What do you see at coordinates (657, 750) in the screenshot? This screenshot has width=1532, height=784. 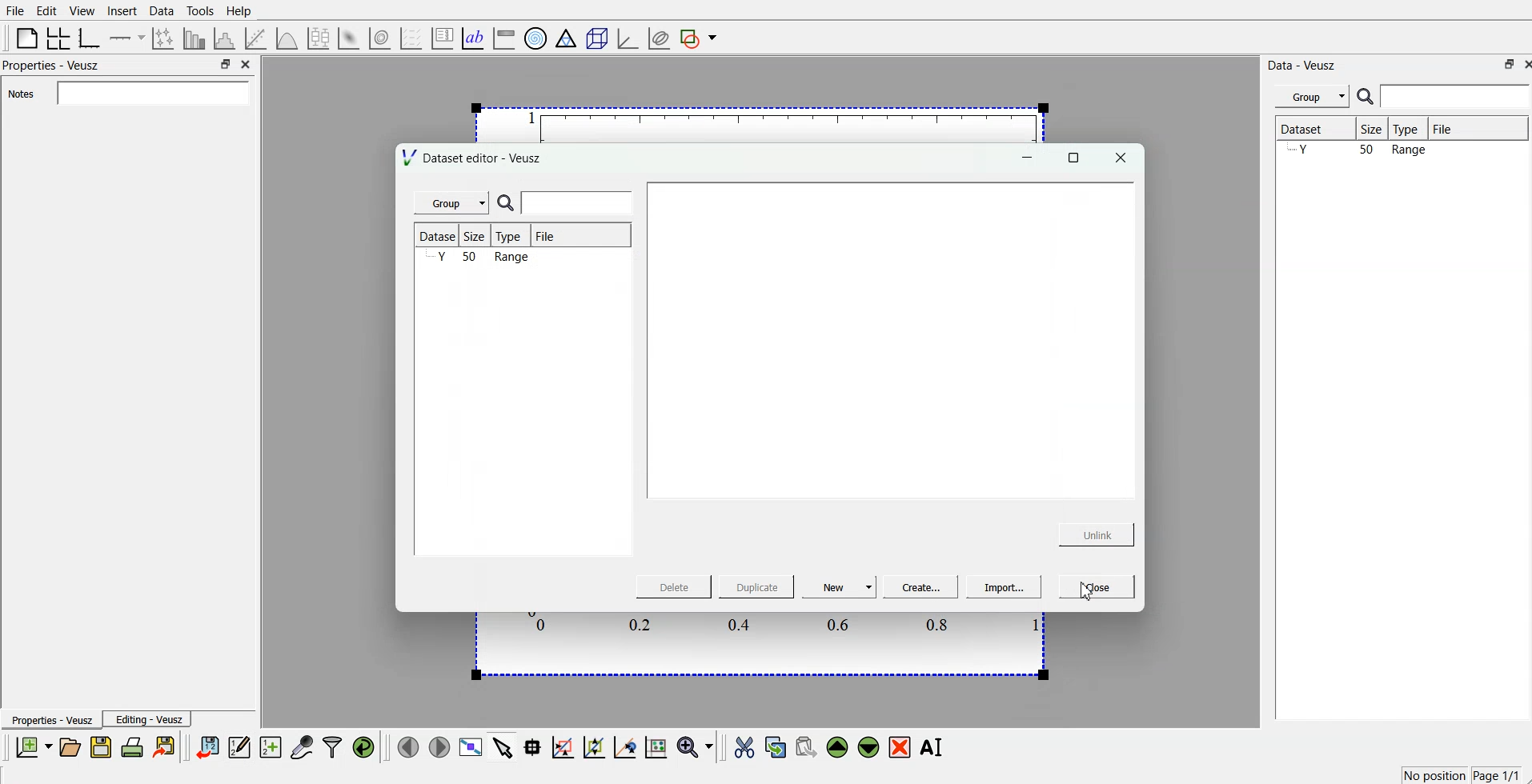 I see `reset graph axes` at bounding box center [657, 750].